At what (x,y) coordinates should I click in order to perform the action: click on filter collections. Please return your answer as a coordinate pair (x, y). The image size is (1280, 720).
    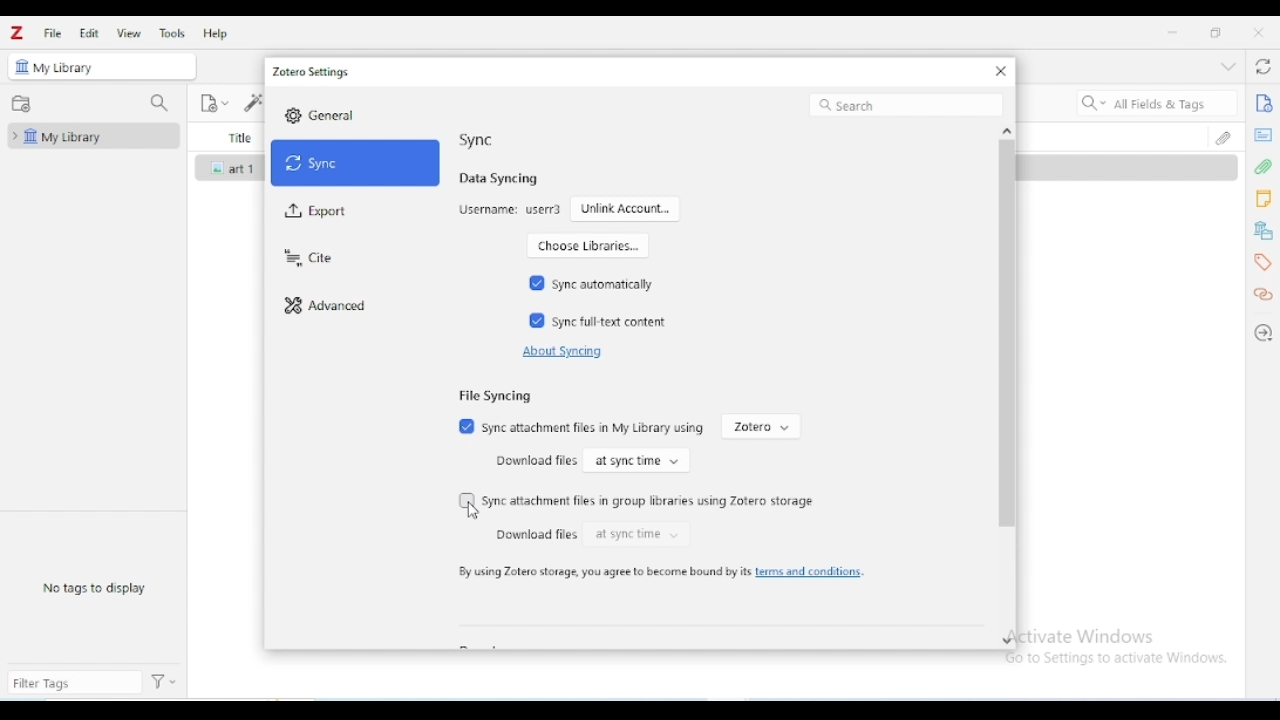
    Looking at the image, I should click on (158, 103).